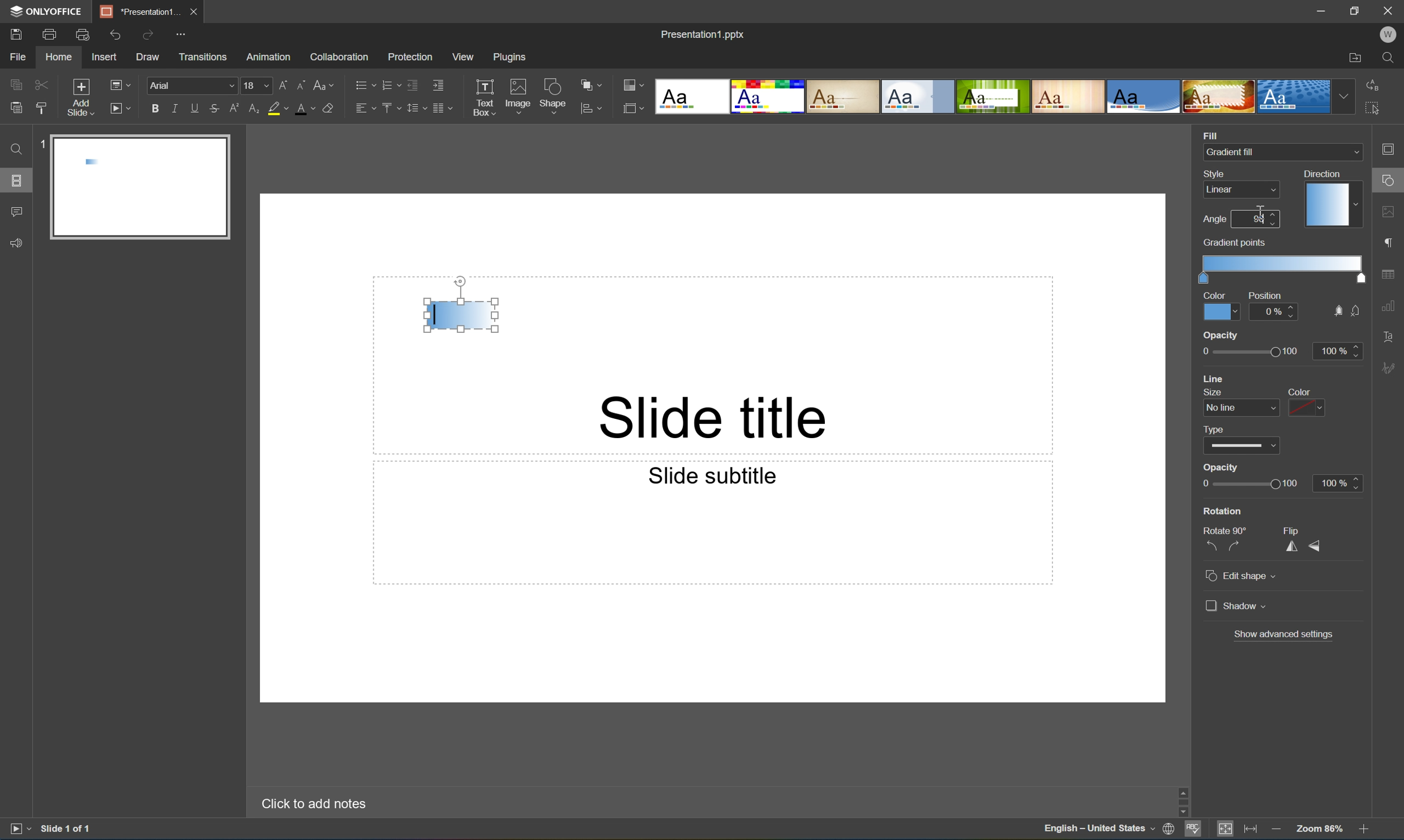 This screenshot has width=1404, height=840. I want to click on Print file, so click(50, 35).